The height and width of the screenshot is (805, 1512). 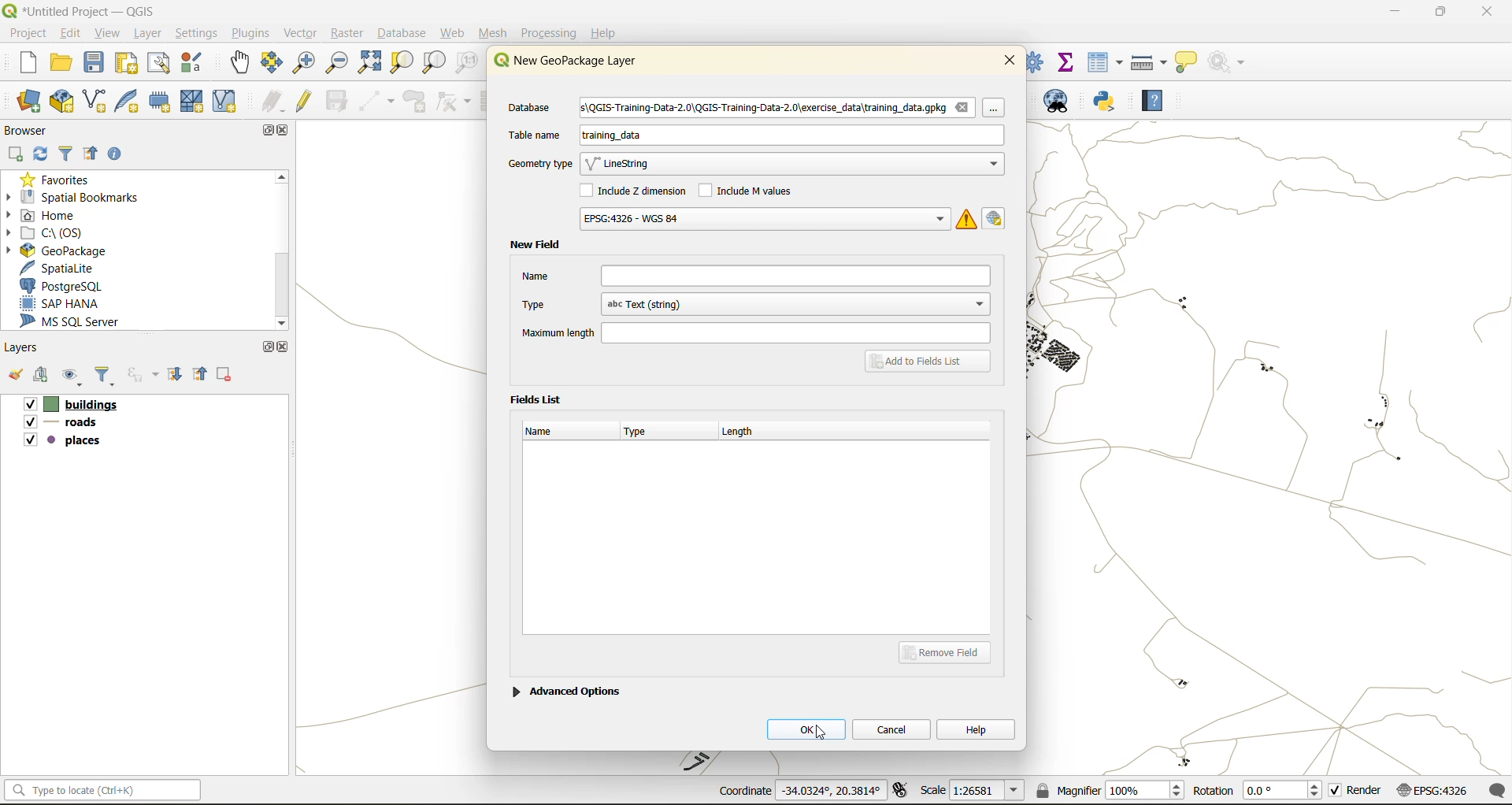 What do you see at coordinates (42, 155) in the screenshot?
I see `refresh` at bounding box center [42, 155].